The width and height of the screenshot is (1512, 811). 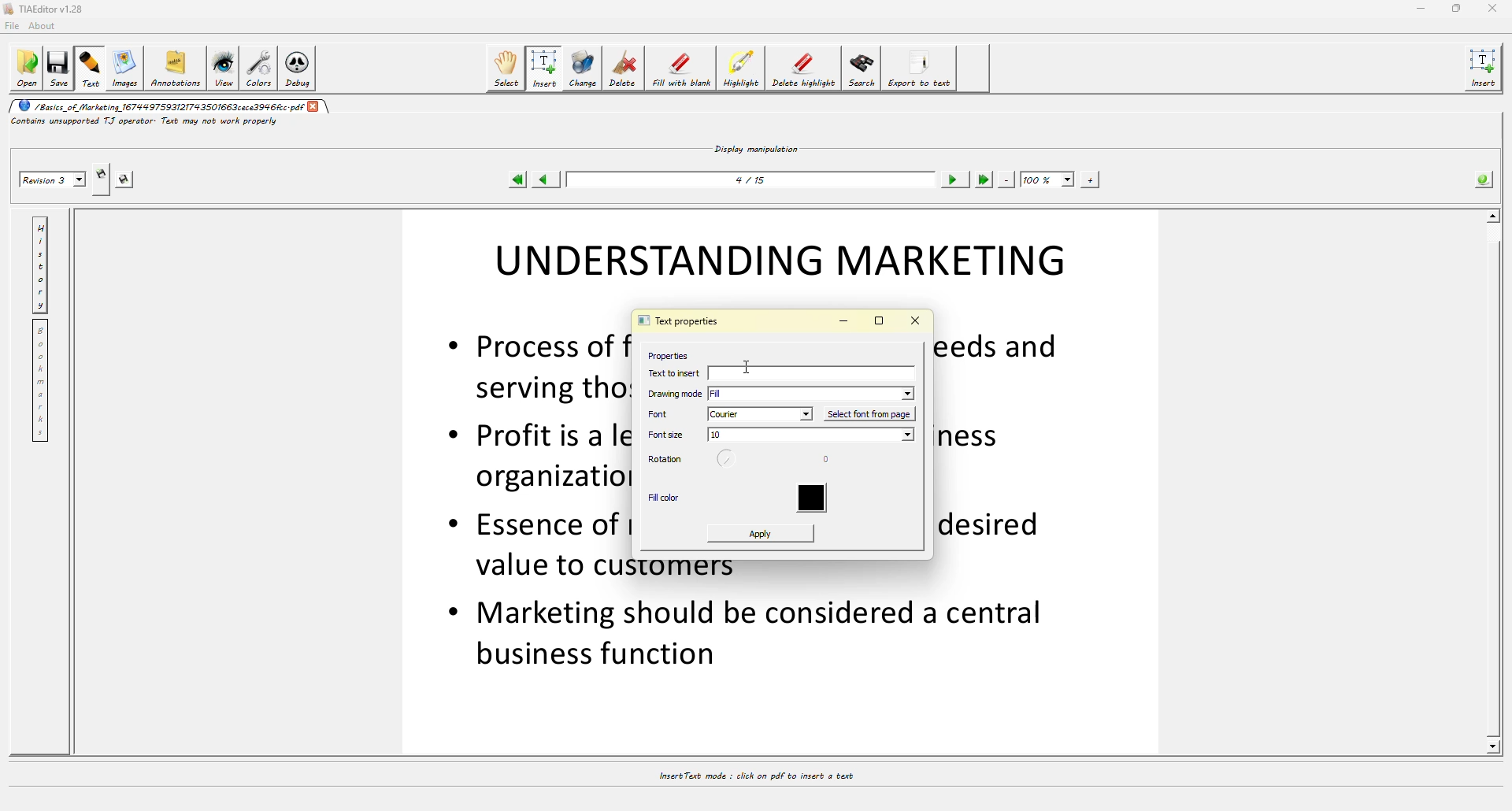 What do you see at coordinates (668, 435) in the screenshot?
I see `font size` at bounding box center [668, 435].